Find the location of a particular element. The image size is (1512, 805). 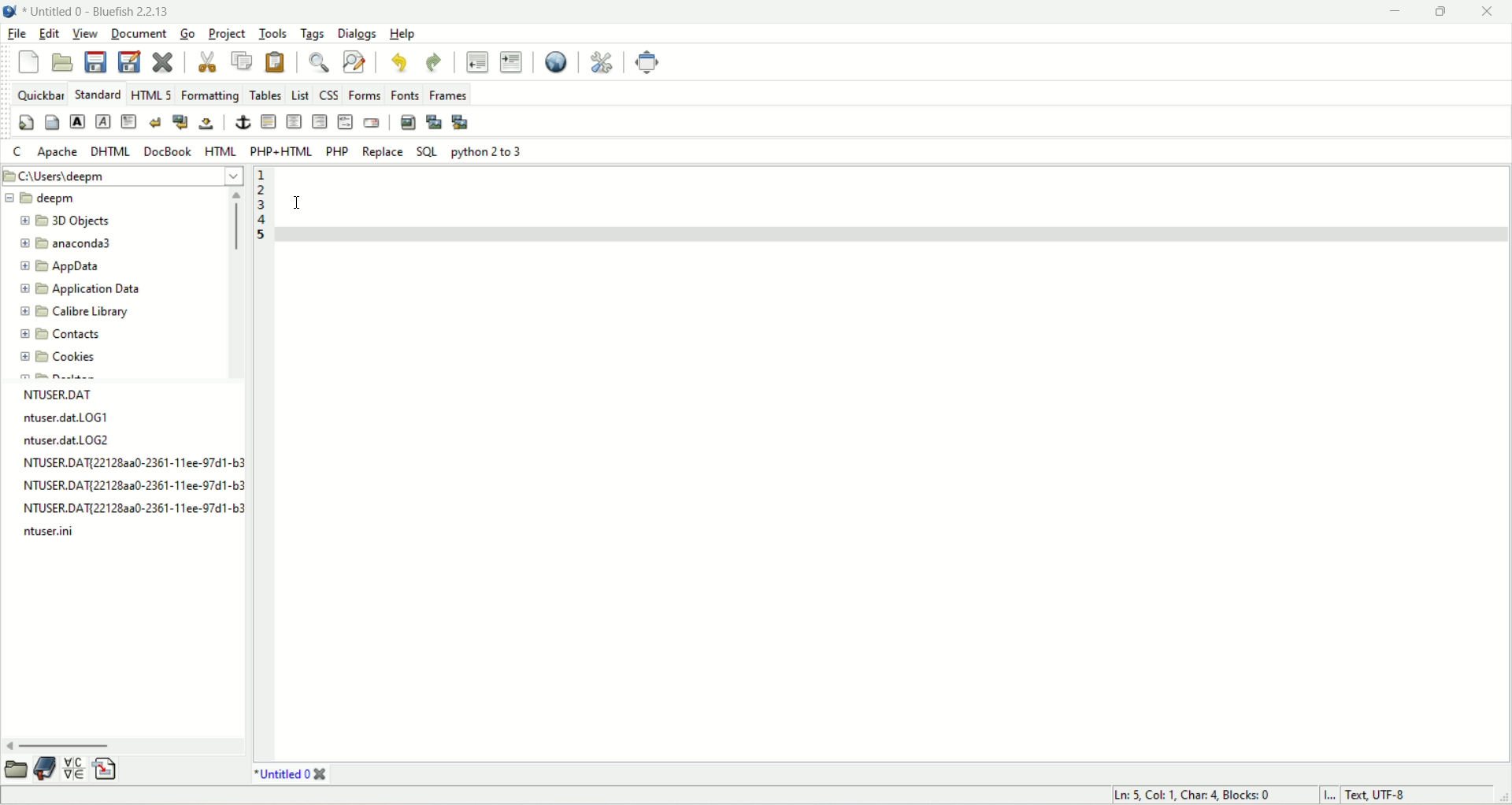

contacts is located at coordinates (61, 335).